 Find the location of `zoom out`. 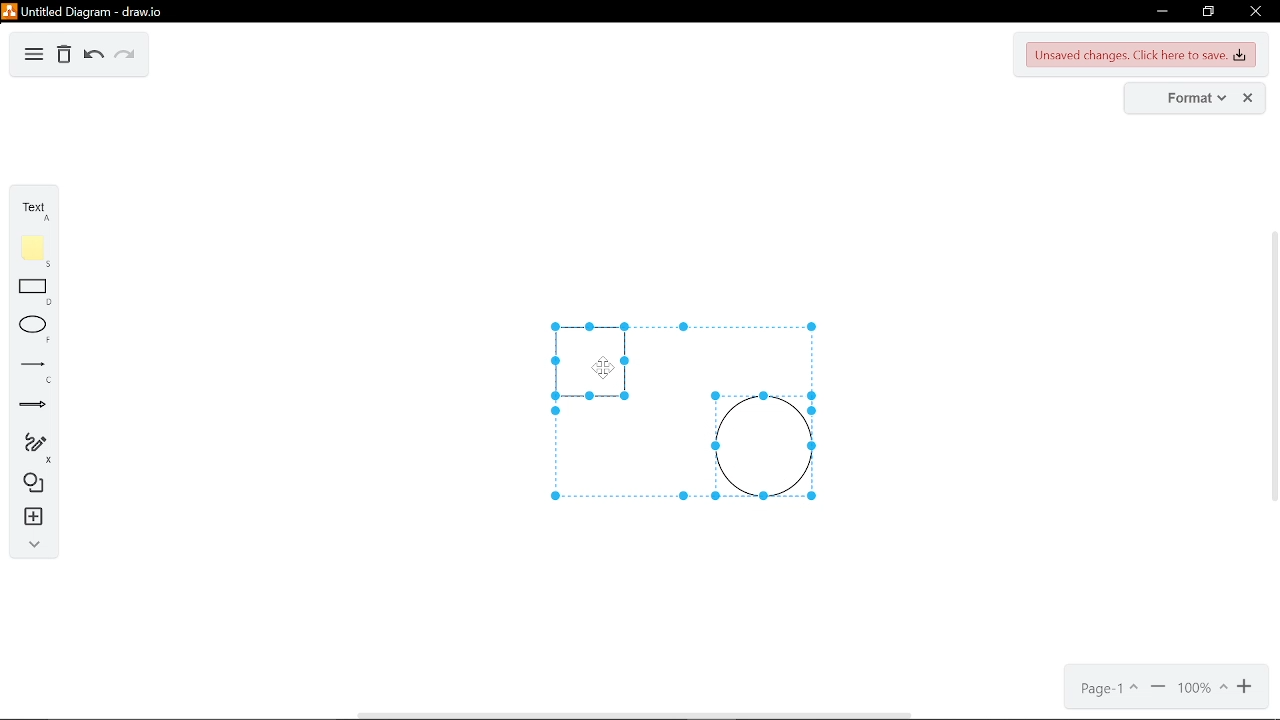

zoom out is located at coordinates (1157, 688).